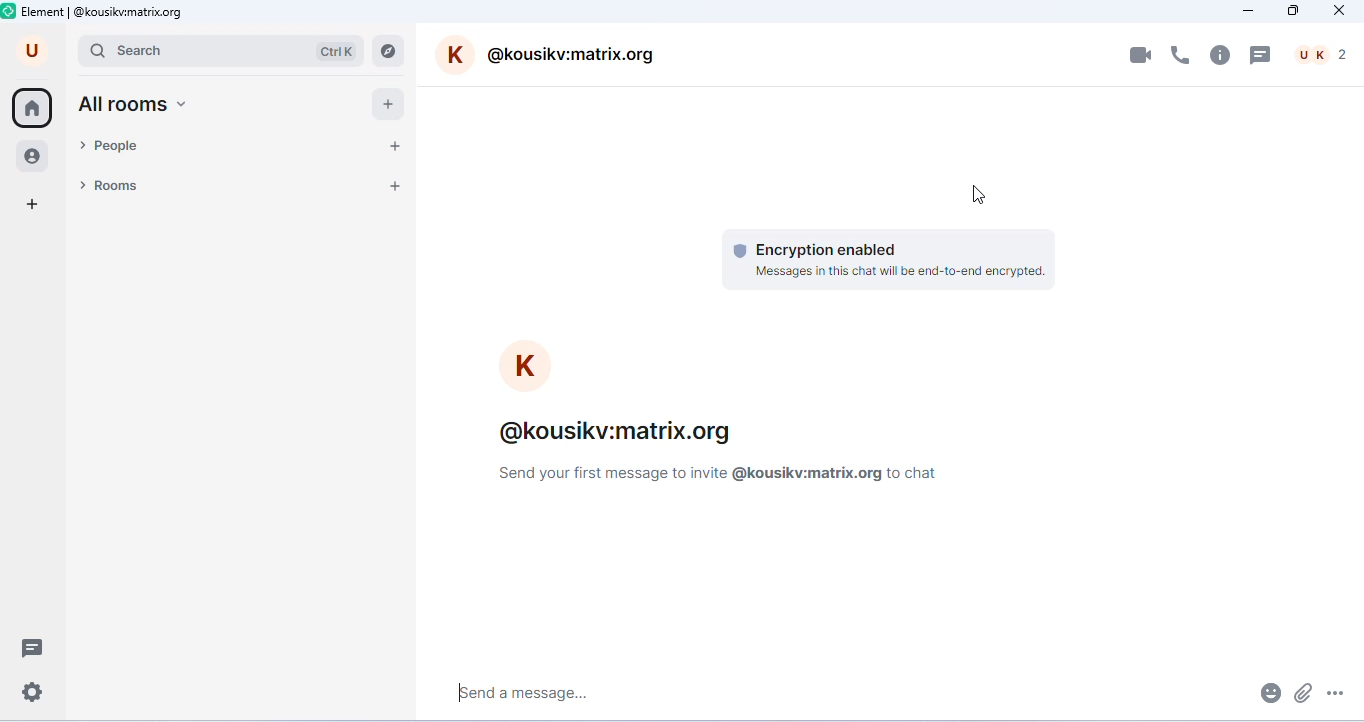 This screenshot has height=722, width=1364. Describe the element at coordinates (1221, 54) in the screenshot. I see `room info` at that location.